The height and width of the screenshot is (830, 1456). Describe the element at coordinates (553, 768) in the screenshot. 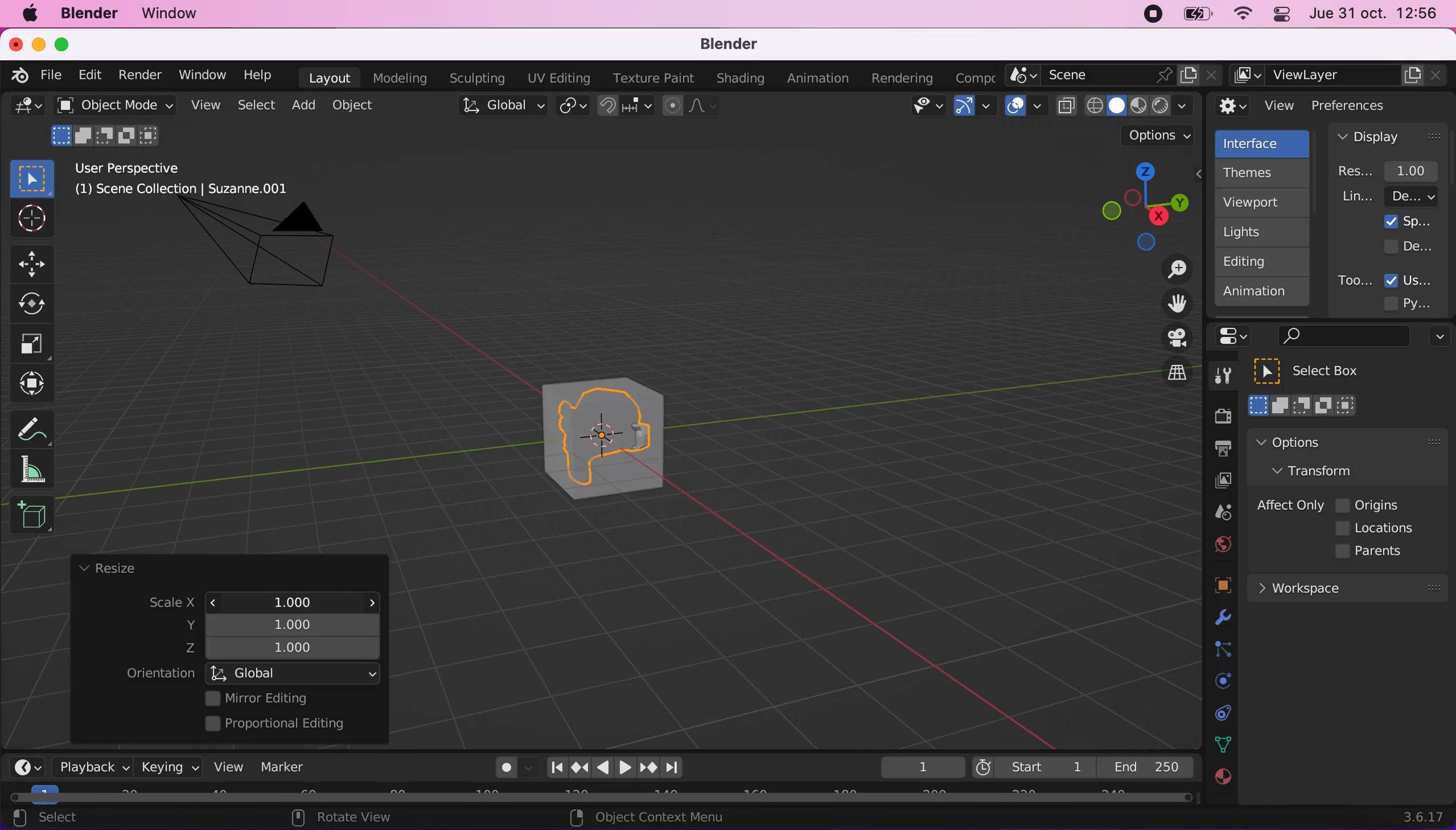

I see `jump to end point` at that location.